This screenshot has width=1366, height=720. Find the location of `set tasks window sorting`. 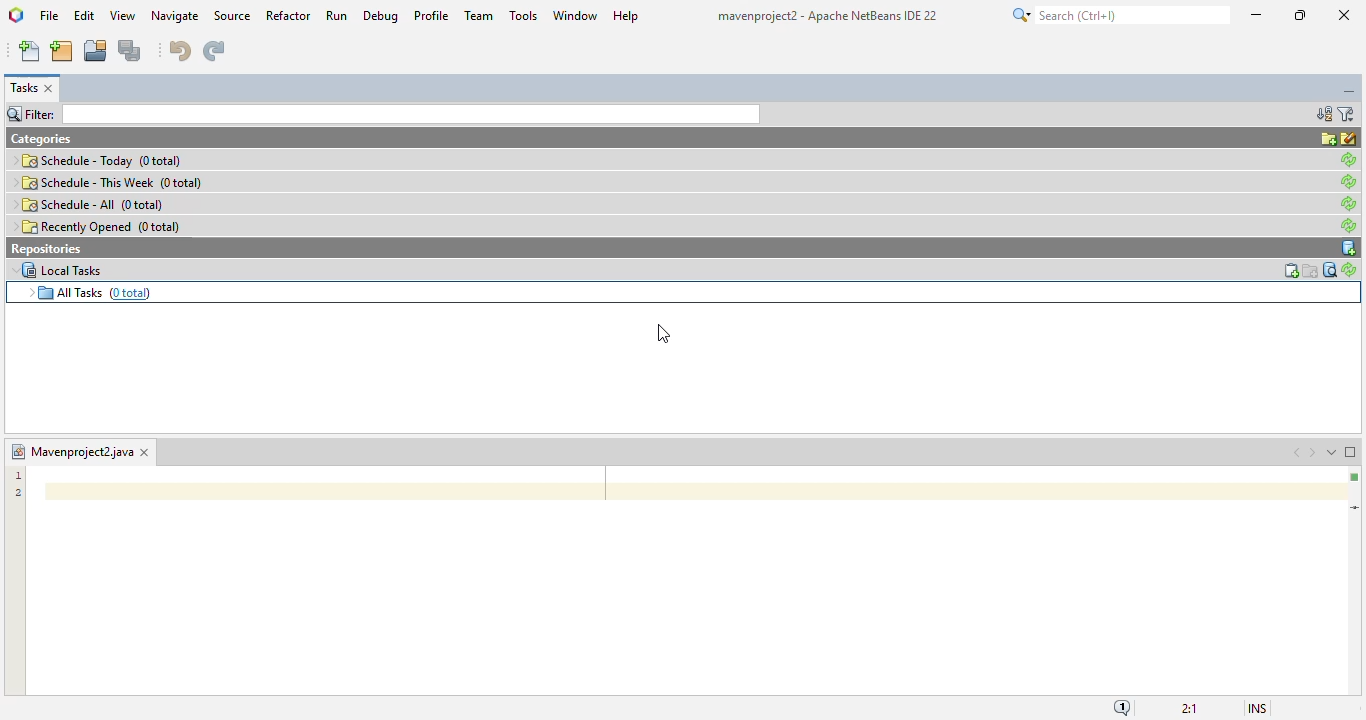

set tasks window sorting is located at coordinates (1323, 114).